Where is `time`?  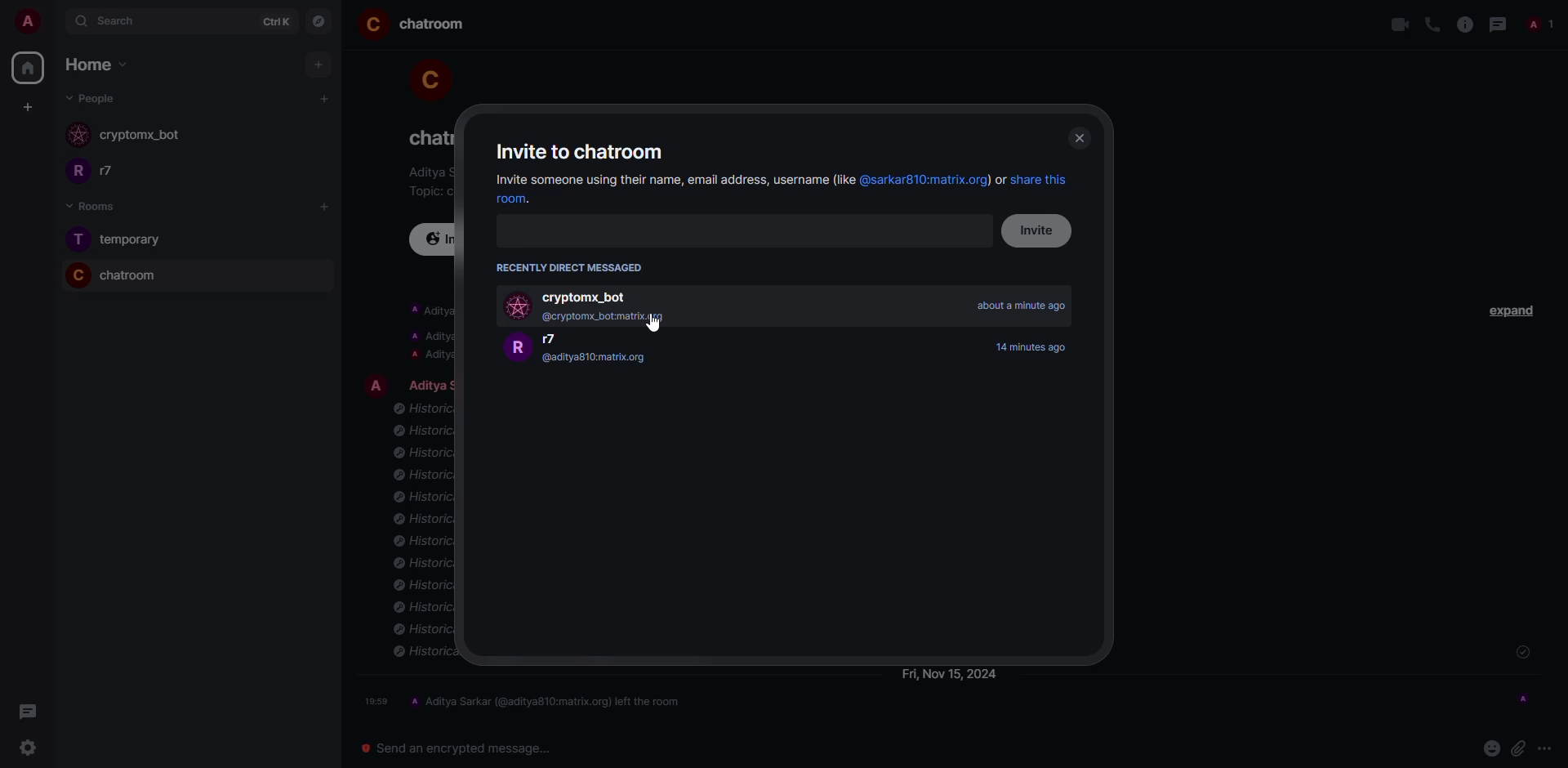
time is located at coordinates (1036, 346).